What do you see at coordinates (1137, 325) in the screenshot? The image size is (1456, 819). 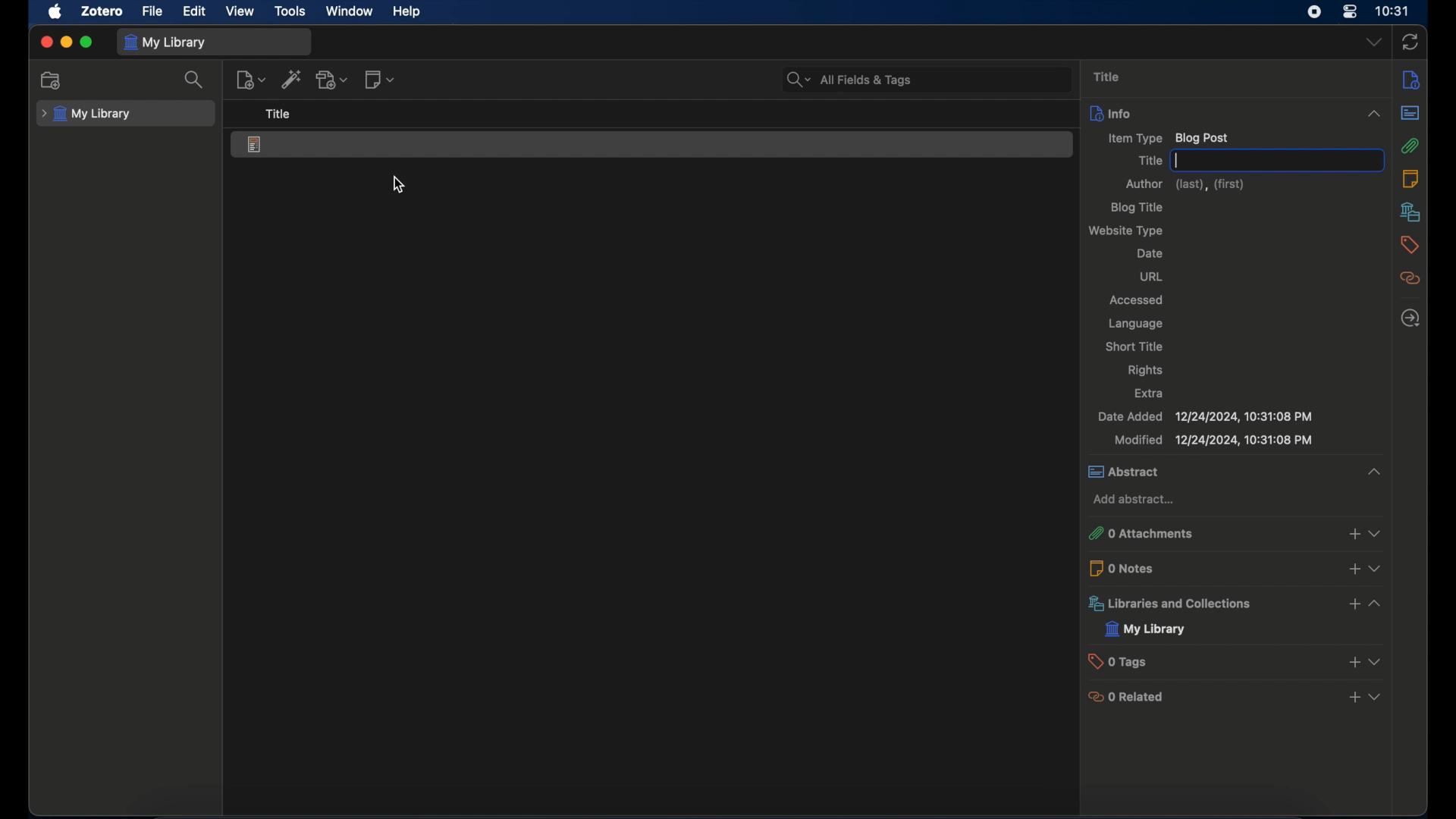 I see `language` at bounding box center [1137, 325].